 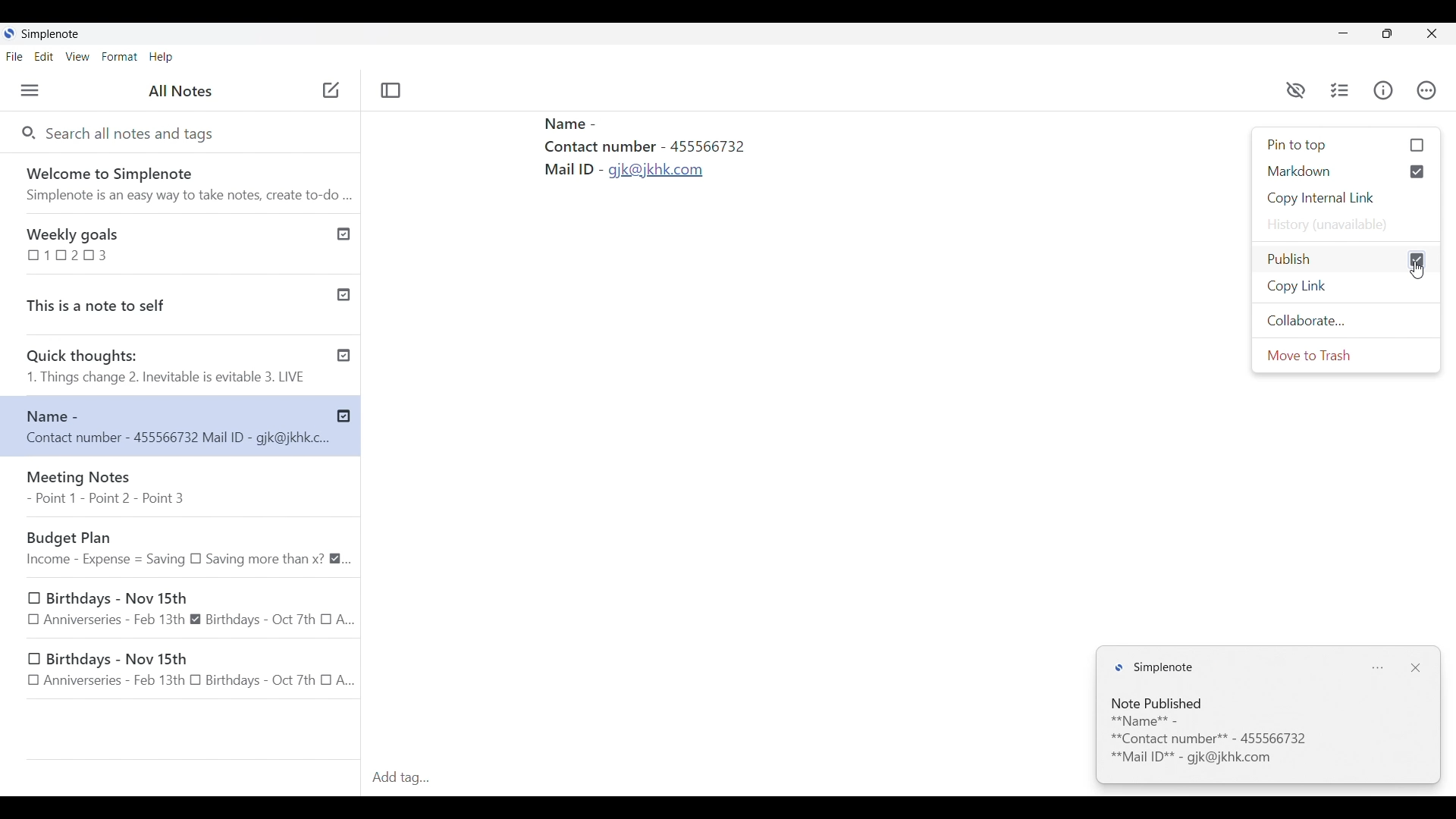 I want to click on Logo and name of software, so click(x=1153, y=668).